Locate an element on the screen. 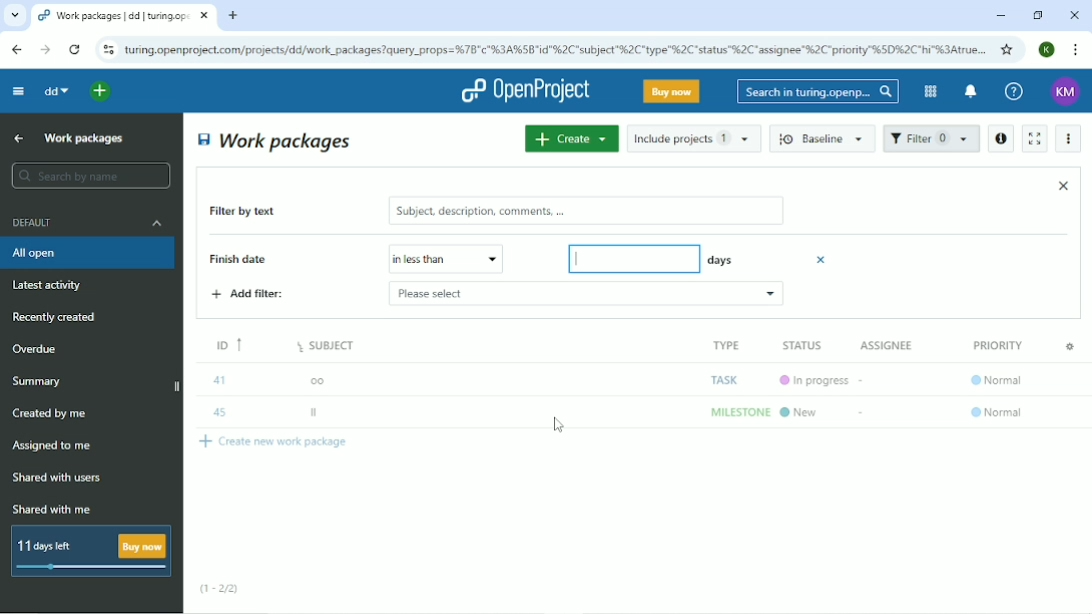 The image size is (1092, 614). Shared with users is located at coordinates (58, 478).